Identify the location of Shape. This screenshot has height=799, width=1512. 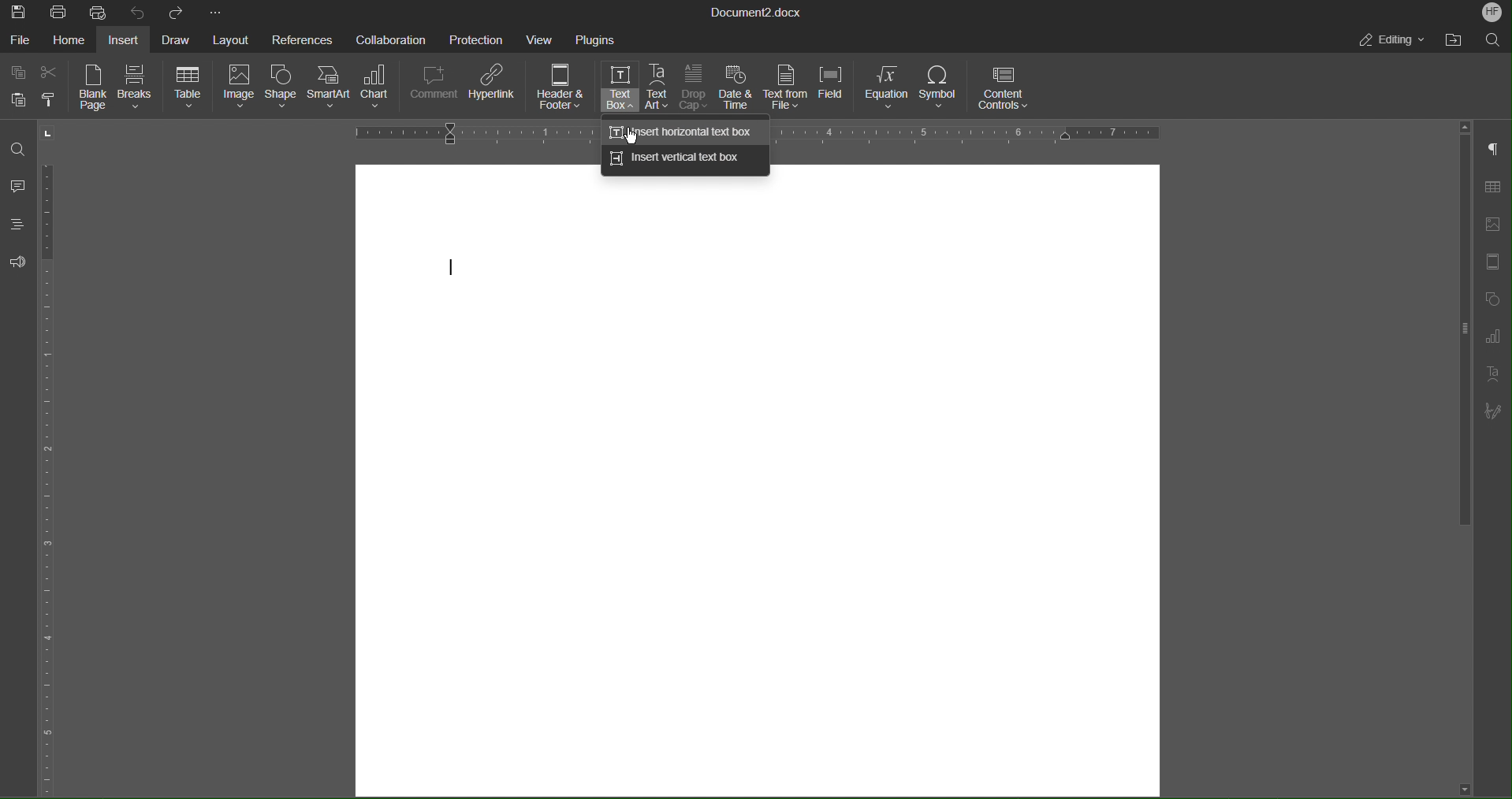
(283, 90).